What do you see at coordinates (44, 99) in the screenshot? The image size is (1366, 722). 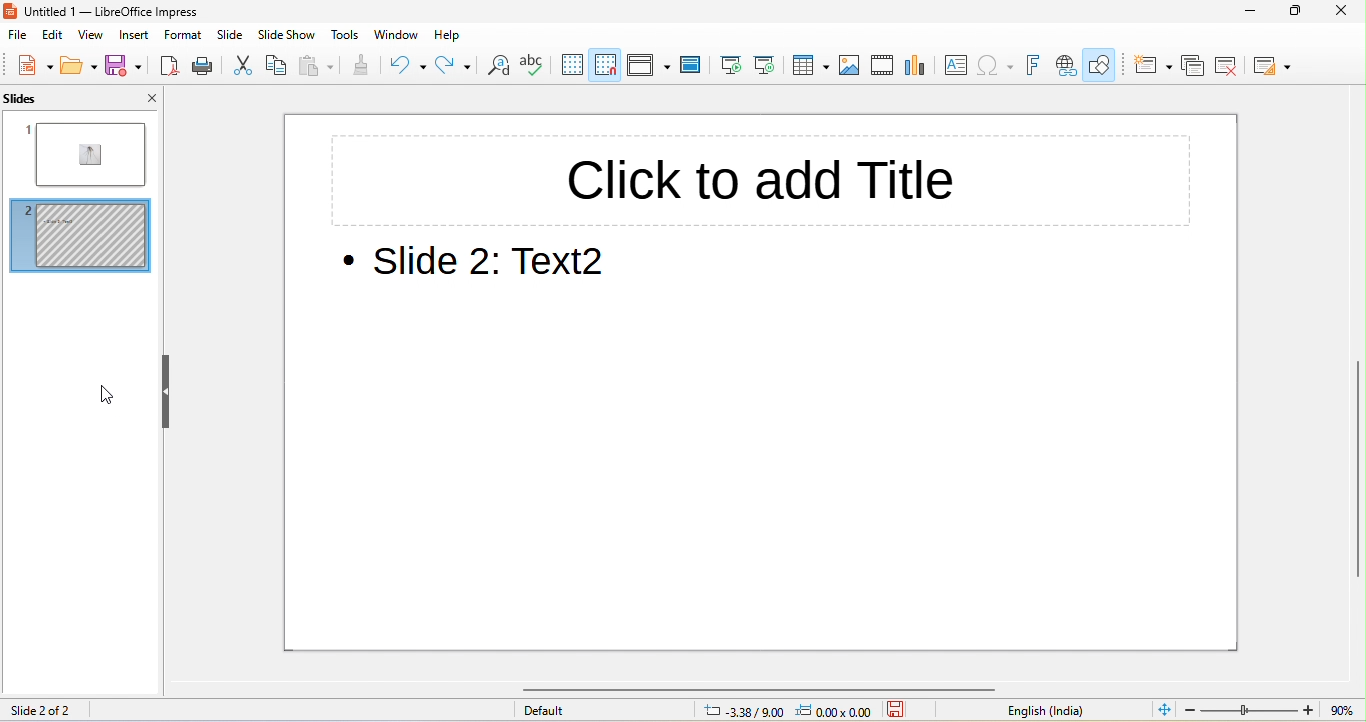 I see `slides` at bounding box center [44, 99].